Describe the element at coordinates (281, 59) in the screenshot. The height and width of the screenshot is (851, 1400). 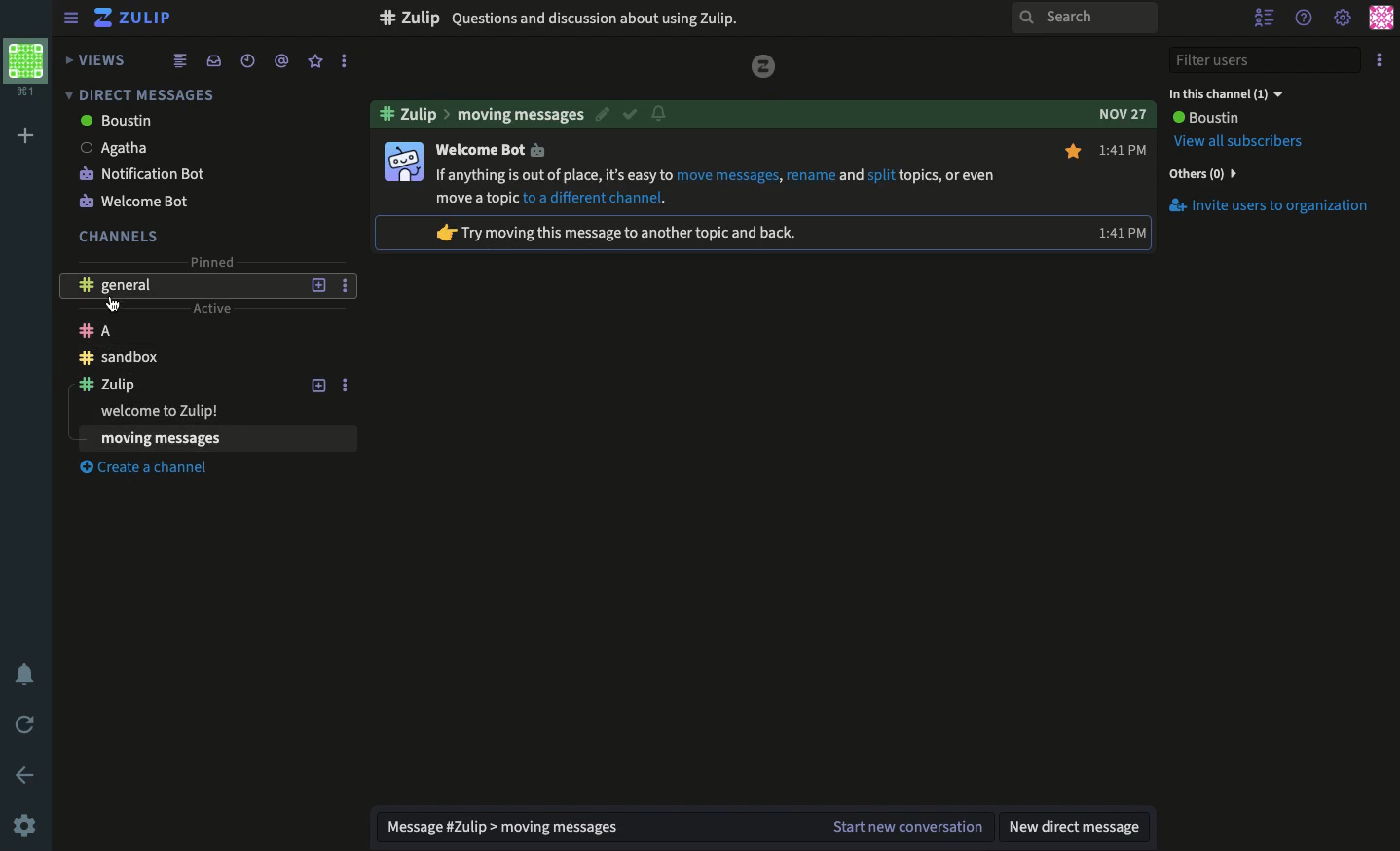
I see `Tag` at that location.